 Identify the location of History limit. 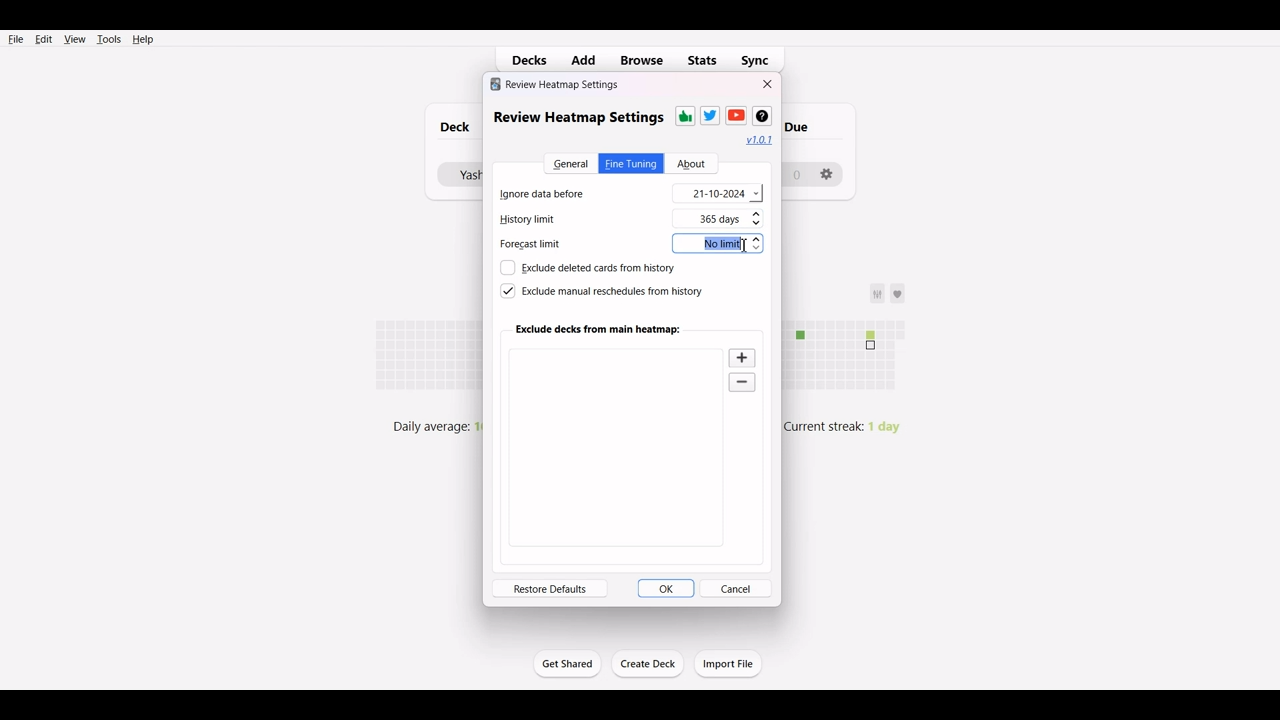
(547, 221).